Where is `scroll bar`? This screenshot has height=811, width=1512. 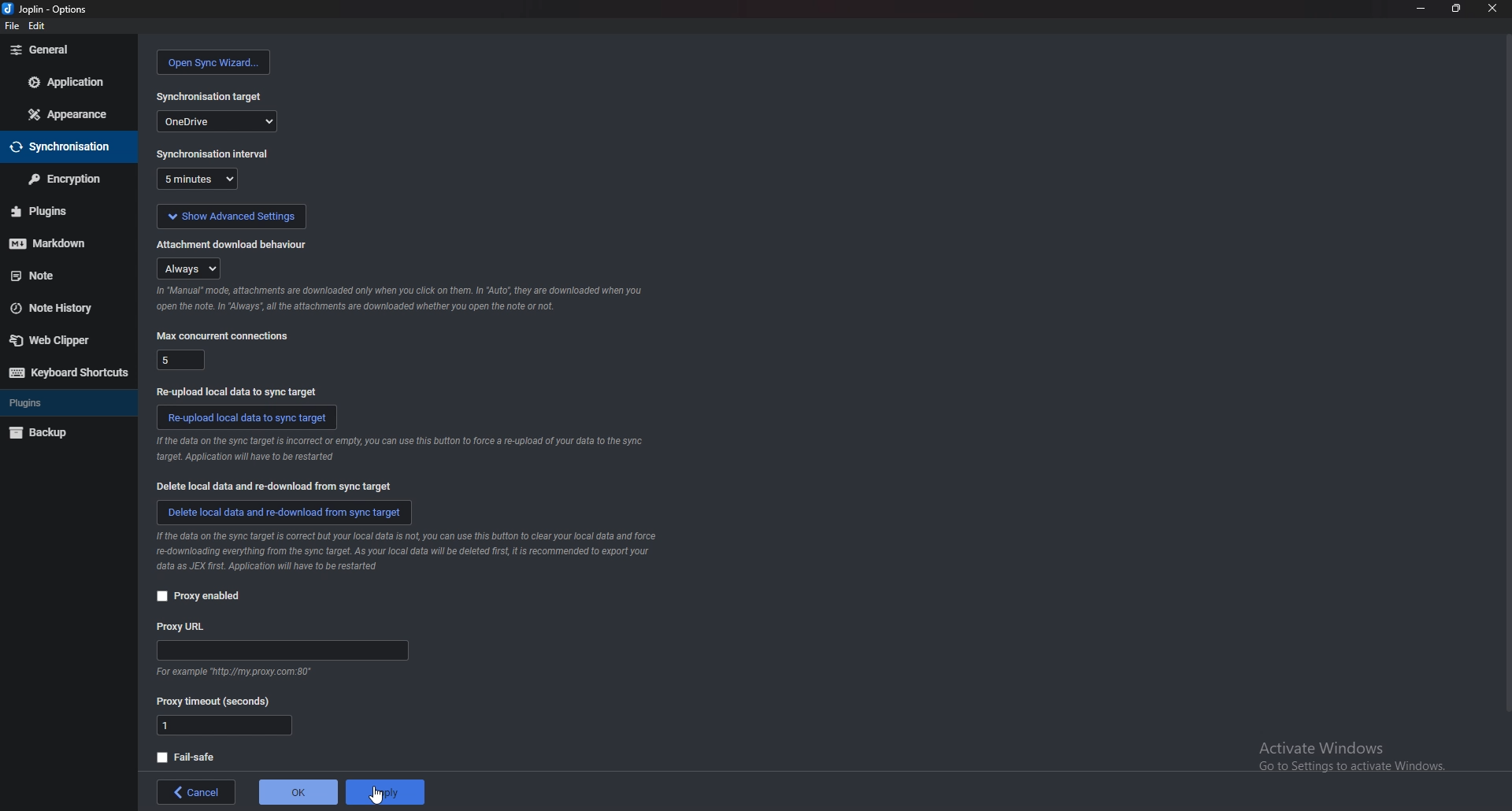
scroll bar is located at coordinates (1506, 378).